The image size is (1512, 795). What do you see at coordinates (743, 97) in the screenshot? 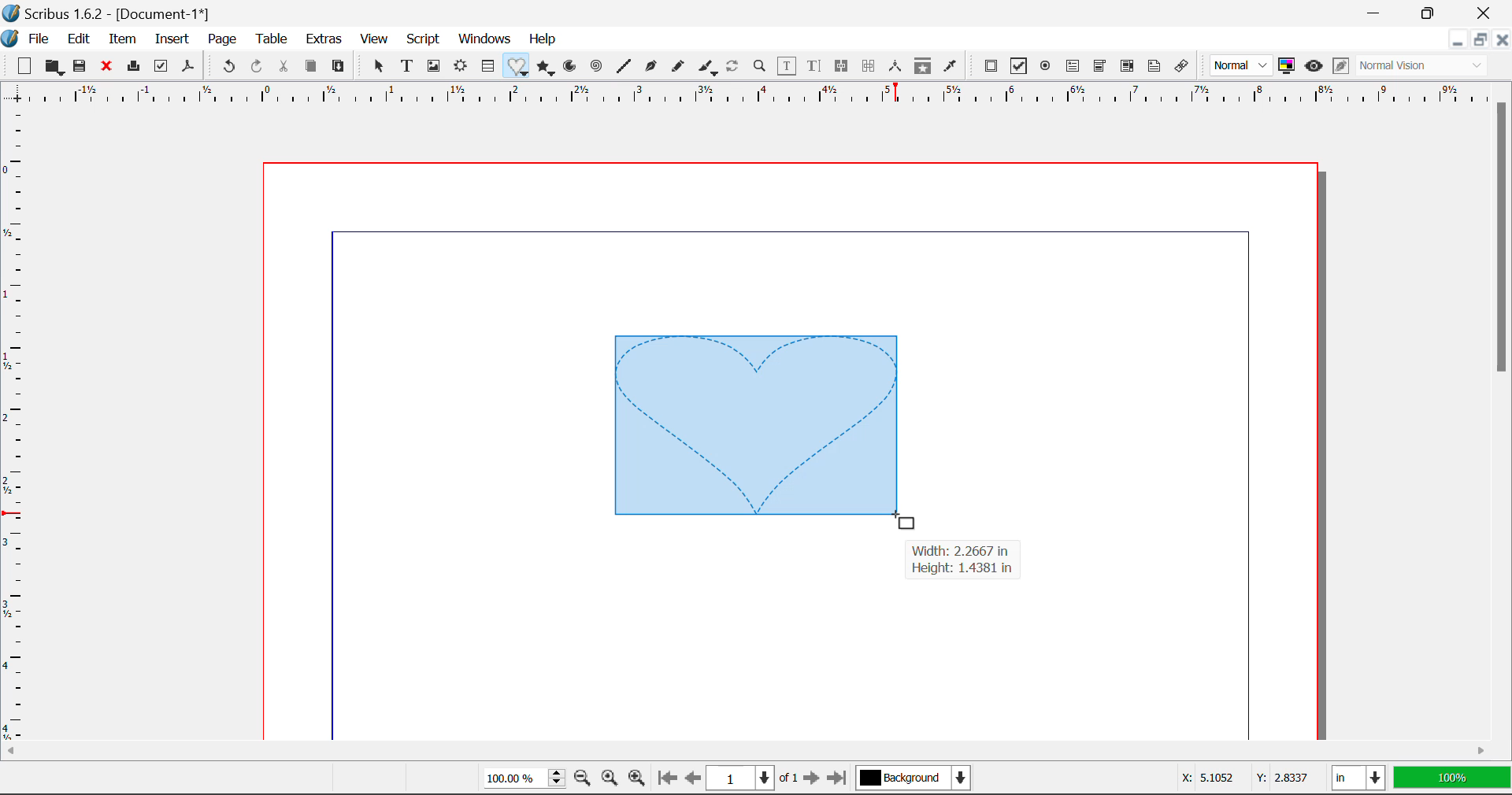
I see `Vertical Page Margins` at bounding box center [743, 97].